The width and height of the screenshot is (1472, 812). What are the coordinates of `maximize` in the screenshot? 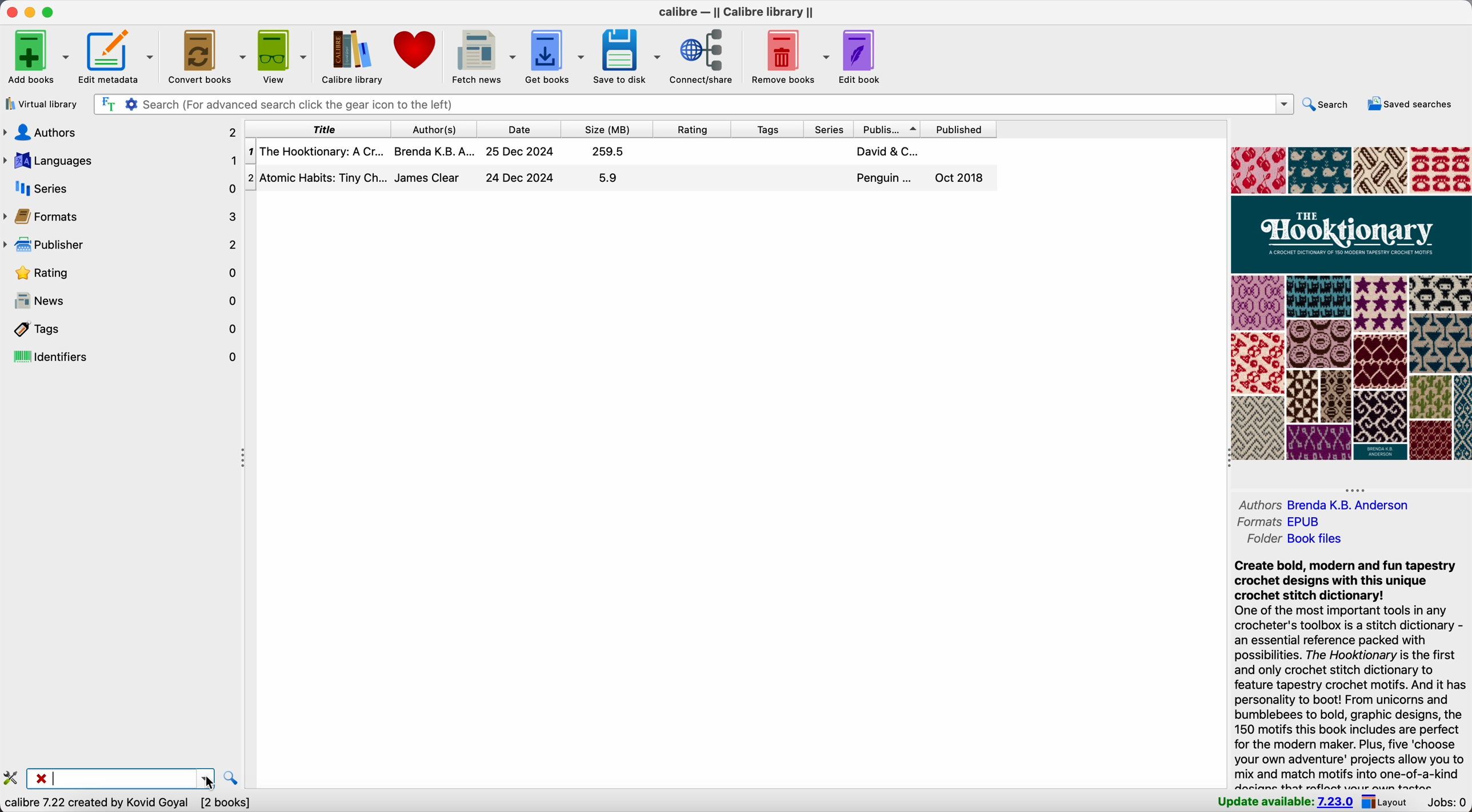 It's located at (51, 10).